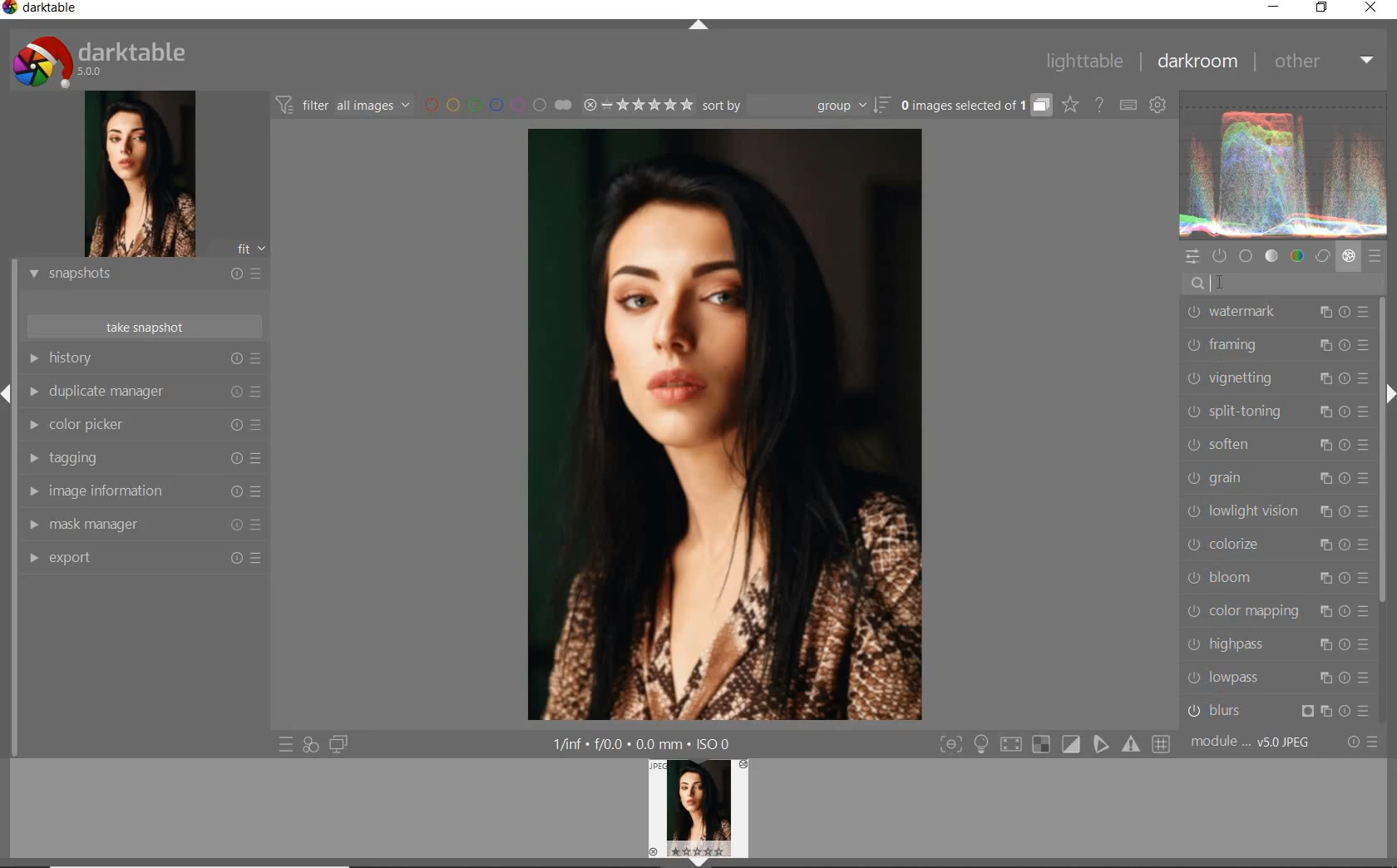 This screenshot has width=1397, height=868. Describe the element at coordinates (1377, 258) in the screenshot. I see `presets` at that location.